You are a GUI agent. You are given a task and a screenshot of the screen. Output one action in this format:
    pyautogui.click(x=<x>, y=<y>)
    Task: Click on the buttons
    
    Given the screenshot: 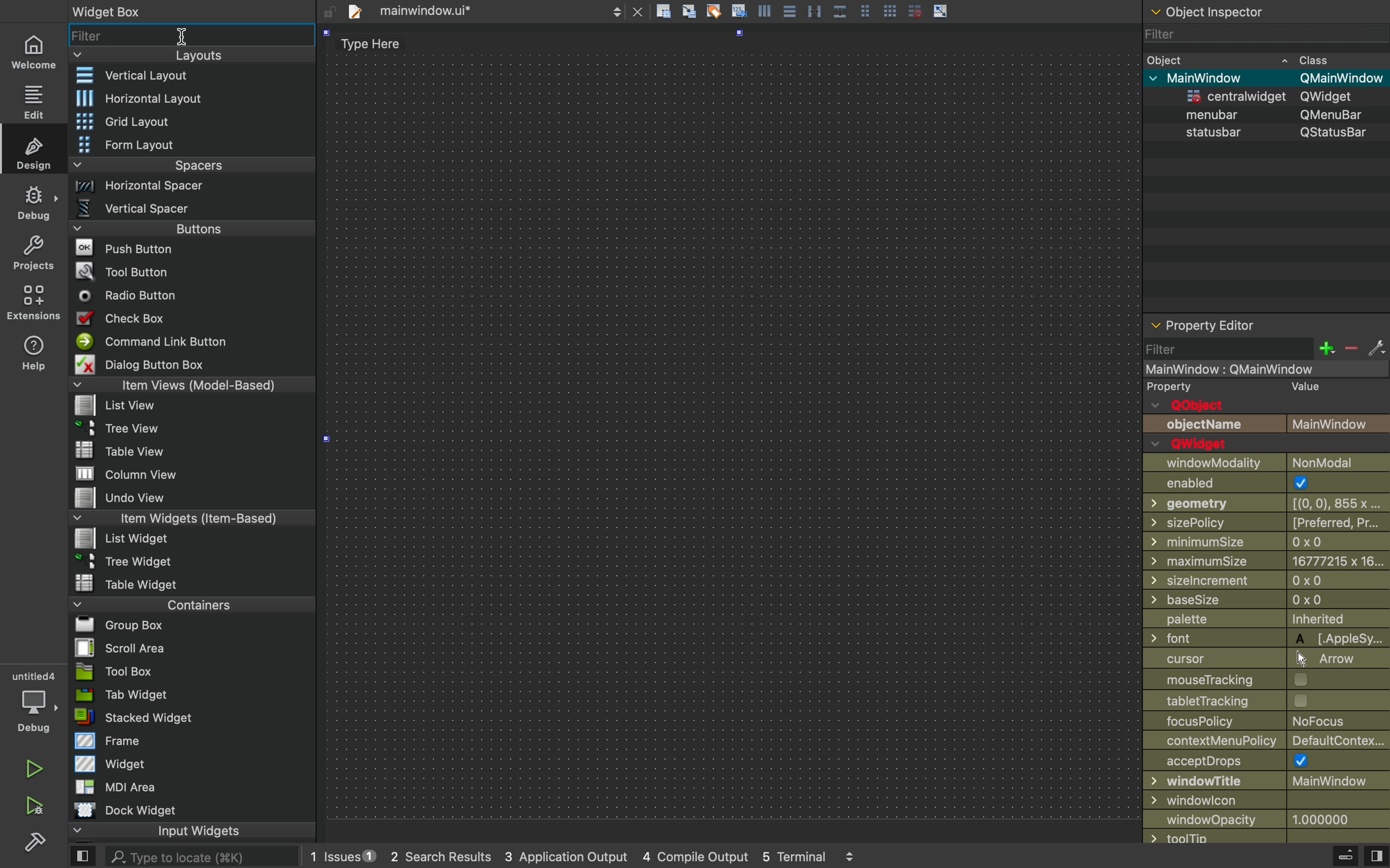 What is the action you would take?
    pyautogui.click(x=191, y=228)
    